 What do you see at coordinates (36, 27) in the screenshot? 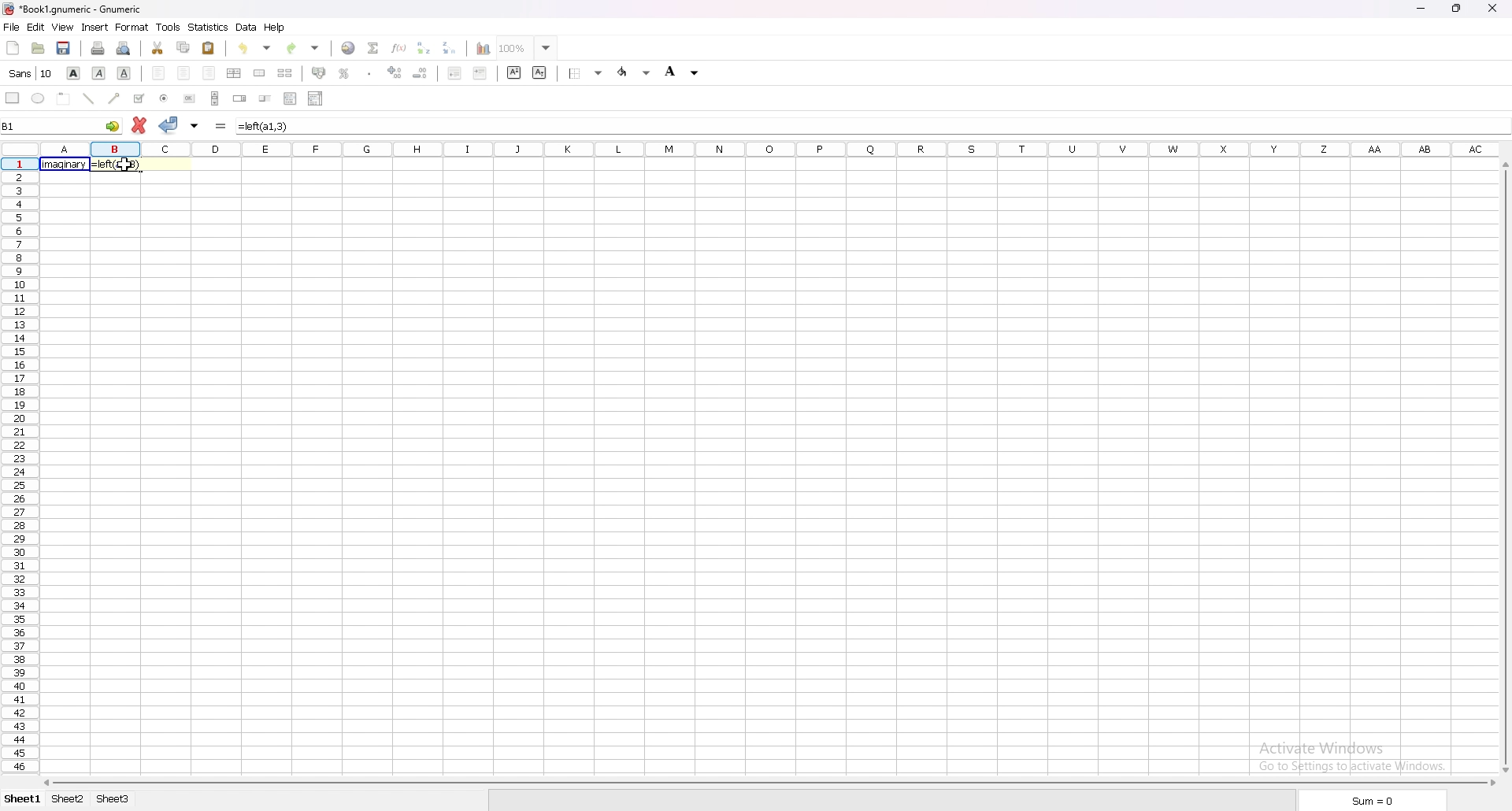
I see `edit` at bounding box center [36, 27].